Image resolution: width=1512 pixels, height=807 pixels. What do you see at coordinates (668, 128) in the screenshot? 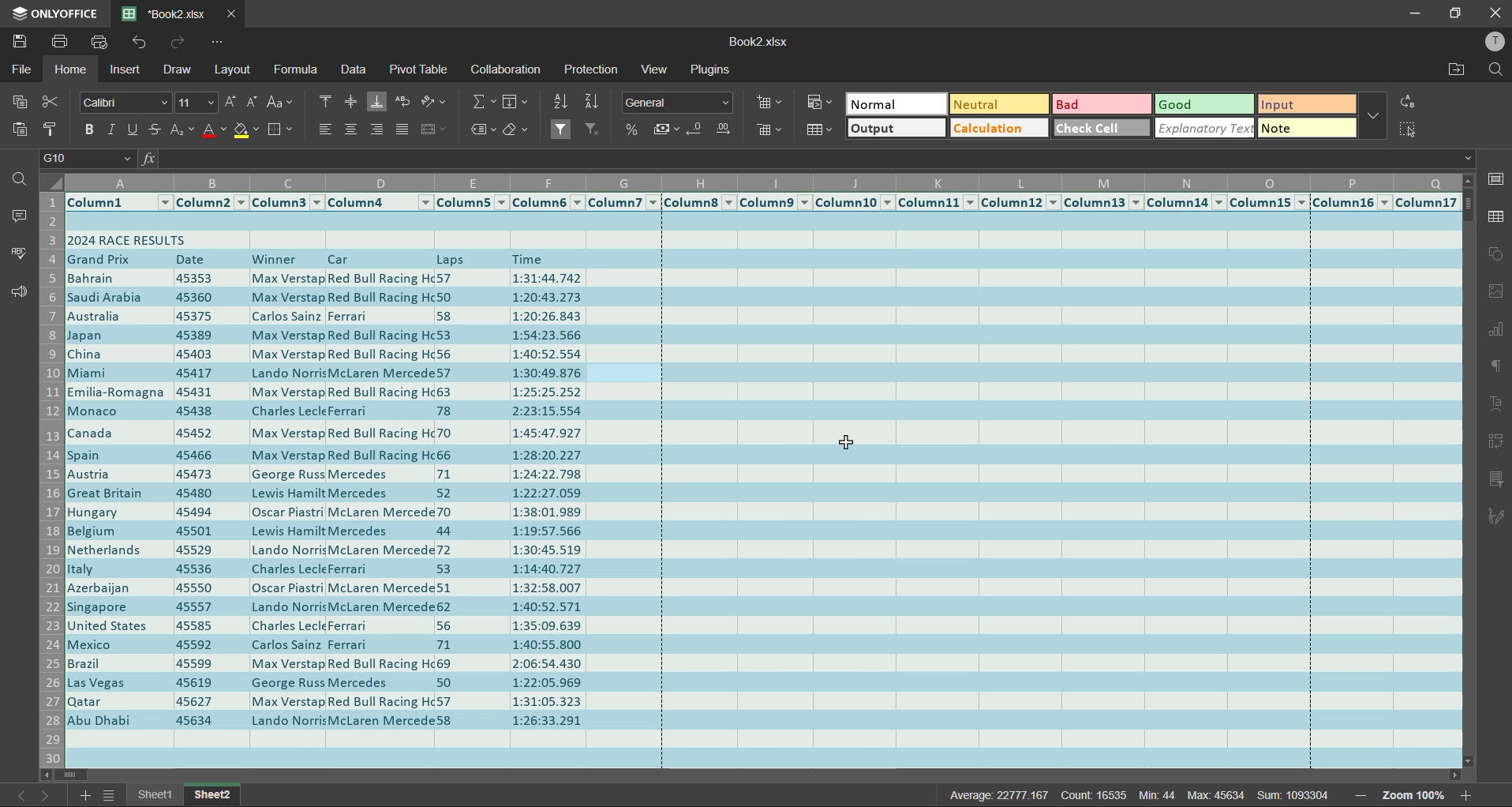
I see `accounting` at bounding box center [668, 128].